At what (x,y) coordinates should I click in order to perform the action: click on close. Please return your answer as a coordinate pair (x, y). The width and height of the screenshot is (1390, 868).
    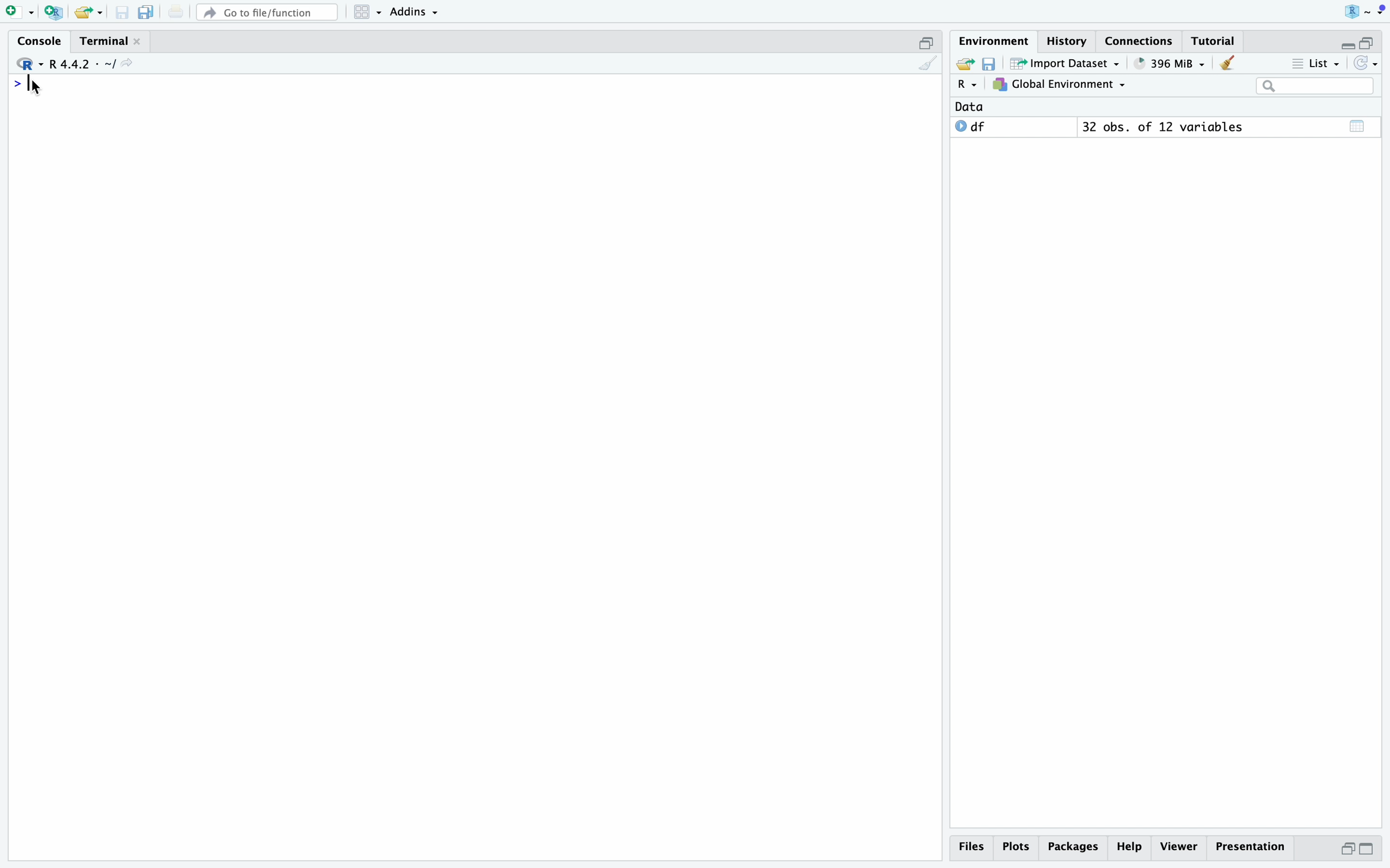
    Looking at the image, I should click on (137, 41).